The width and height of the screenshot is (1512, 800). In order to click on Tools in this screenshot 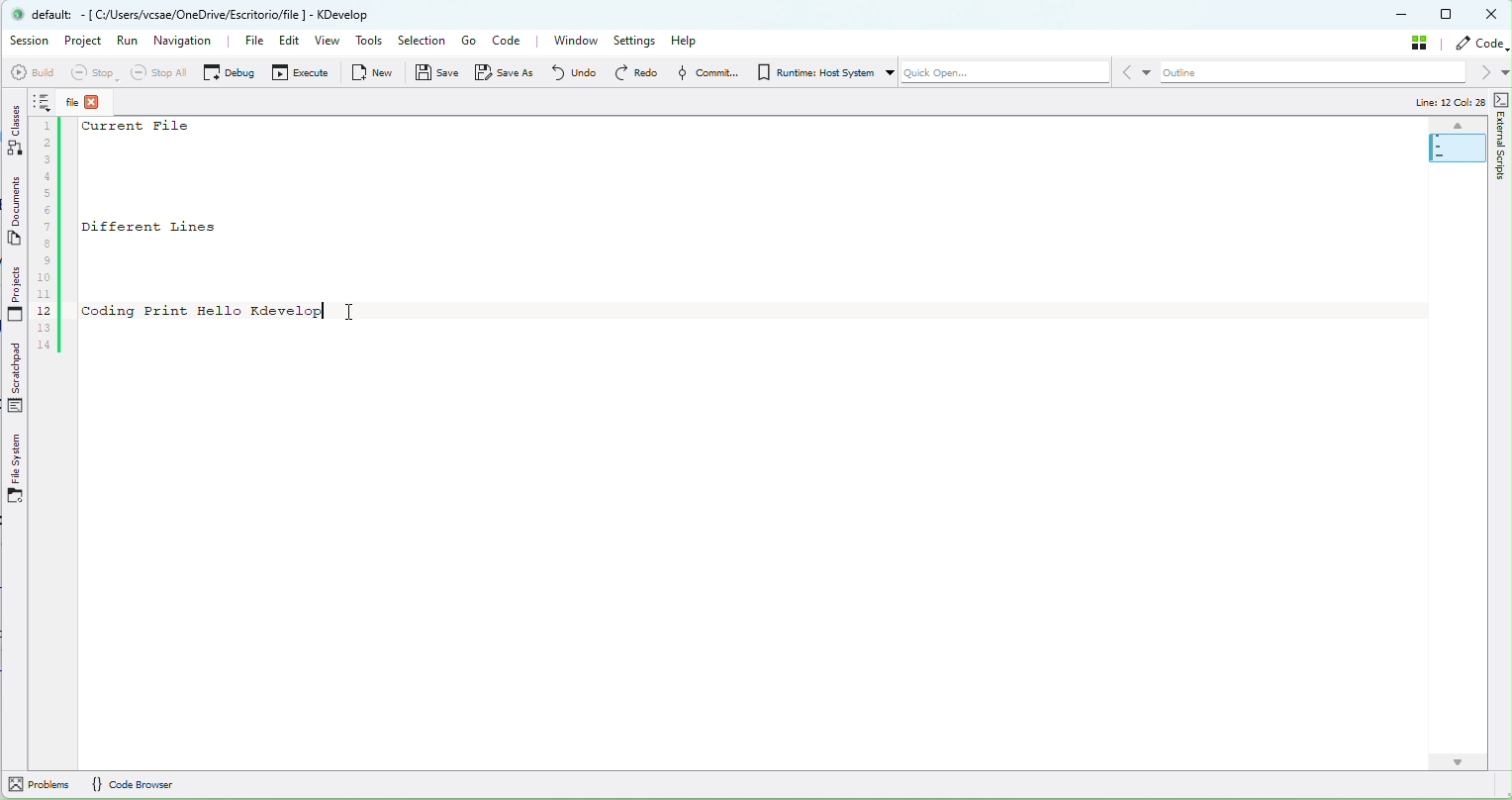, I will do `click(370, 43)`.